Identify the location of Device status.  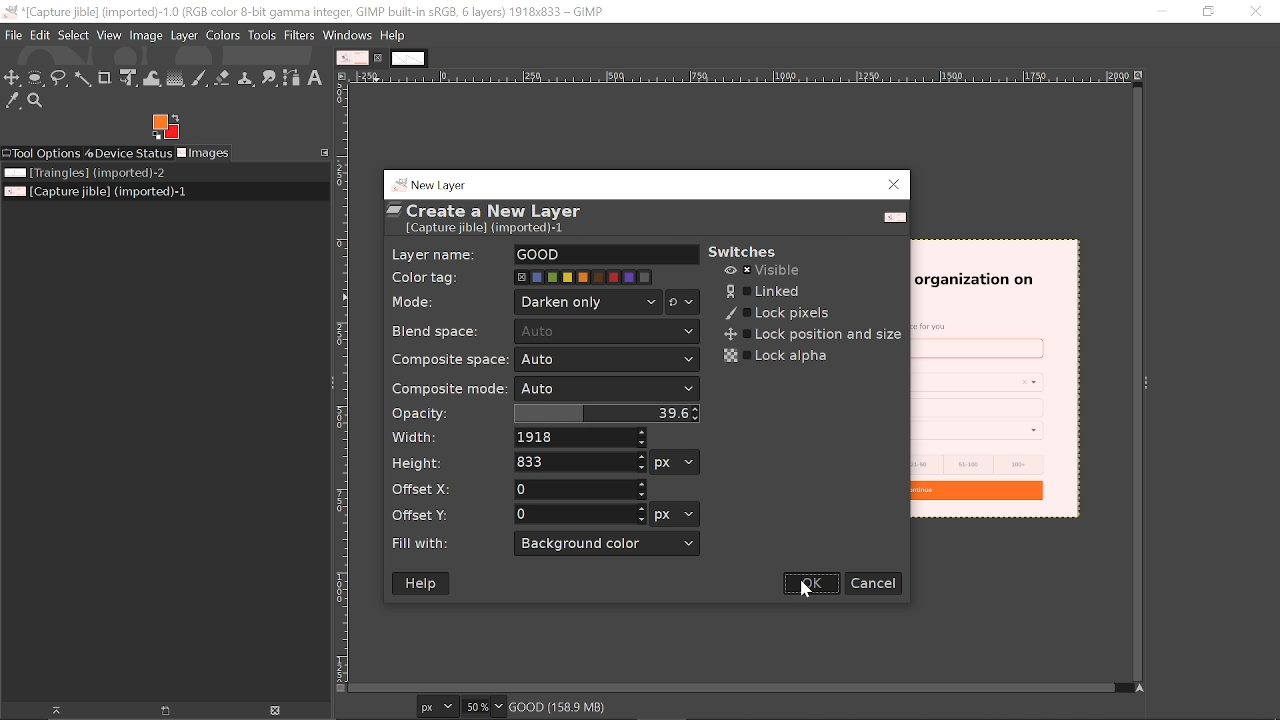
(127, 154).